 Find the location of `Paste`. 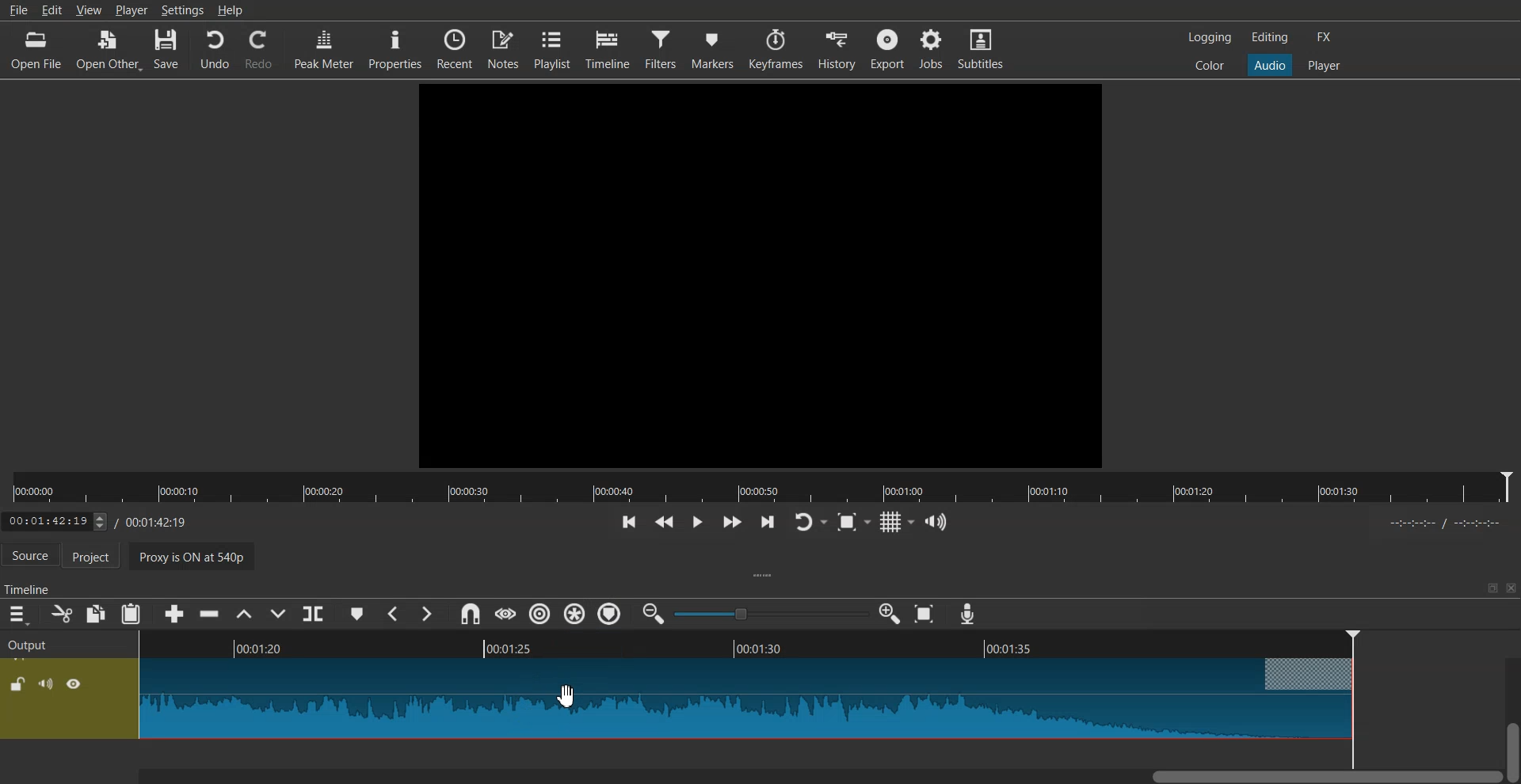

Paste is located at coordinates (131, 614).